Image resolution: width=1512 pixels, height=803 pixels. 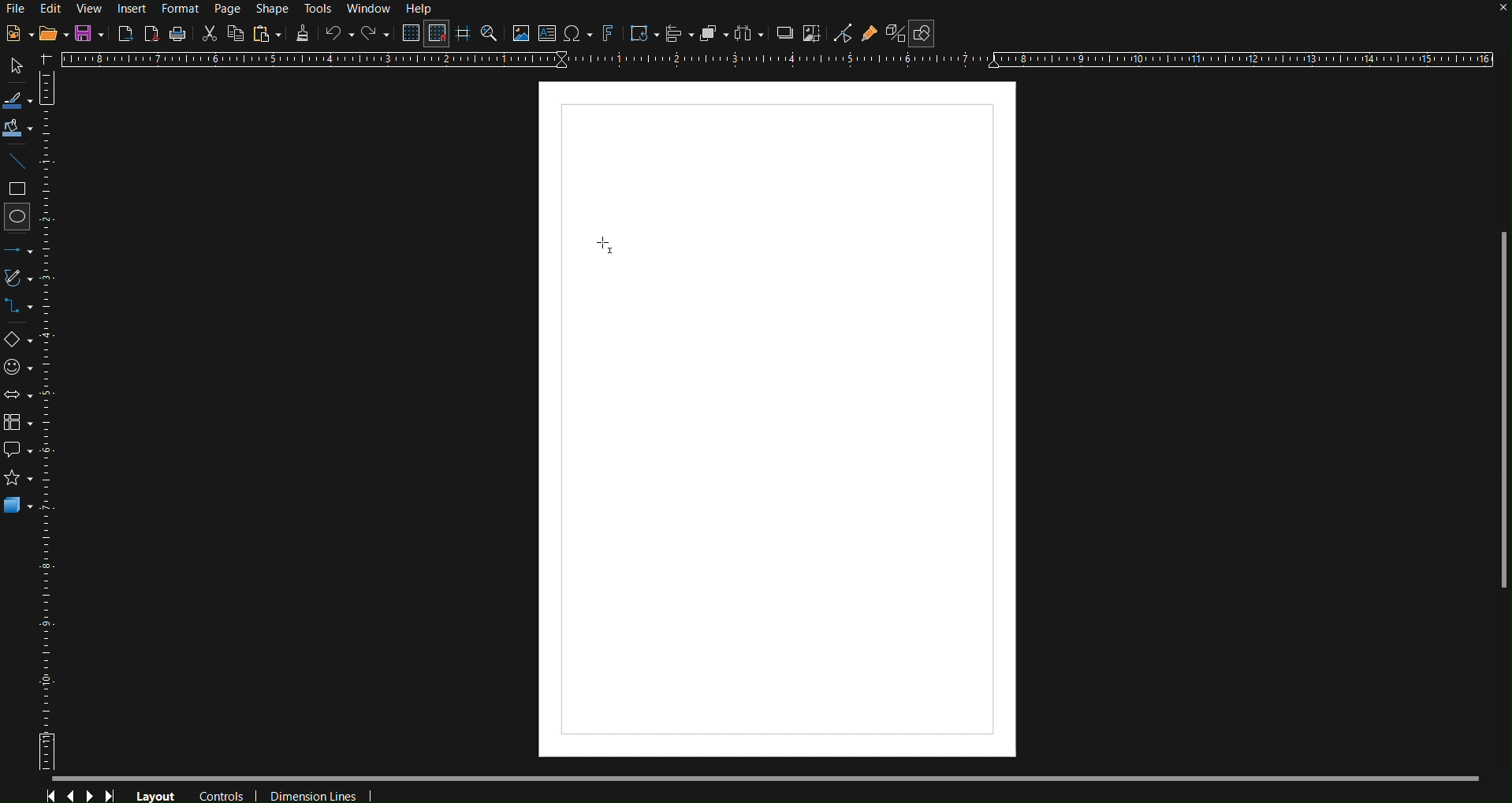 What do you see at coordinates (1503, 409) in the screenshot?
I see `Scrollbar` at bounding box center [1503, 409].